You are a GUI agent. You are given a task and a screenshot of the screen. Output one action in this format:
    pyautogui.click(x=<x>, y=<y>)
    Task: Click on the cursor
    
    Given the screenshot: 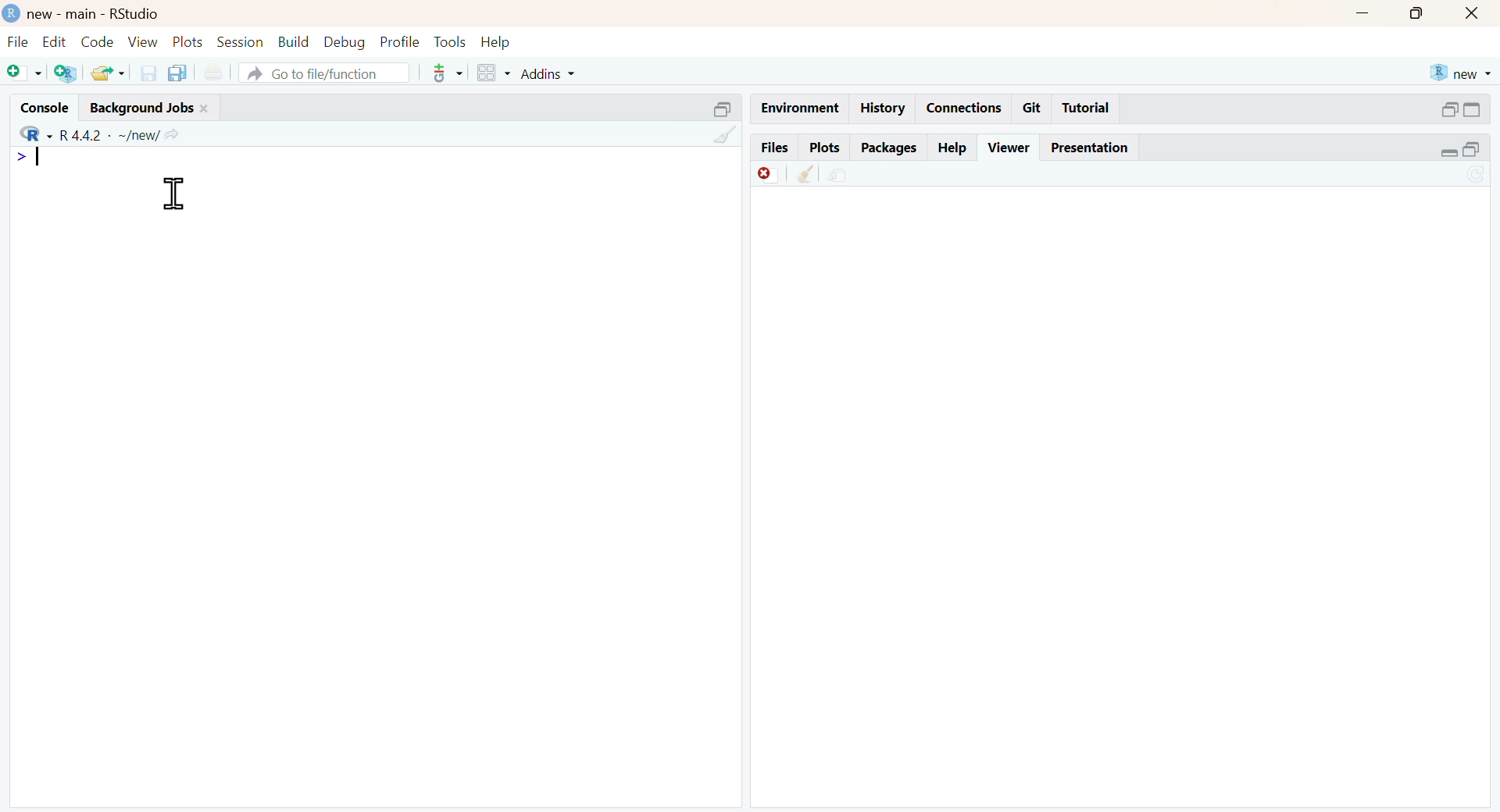 What is the action you would take?
    pyautogui.click(x=175, y=192)
    